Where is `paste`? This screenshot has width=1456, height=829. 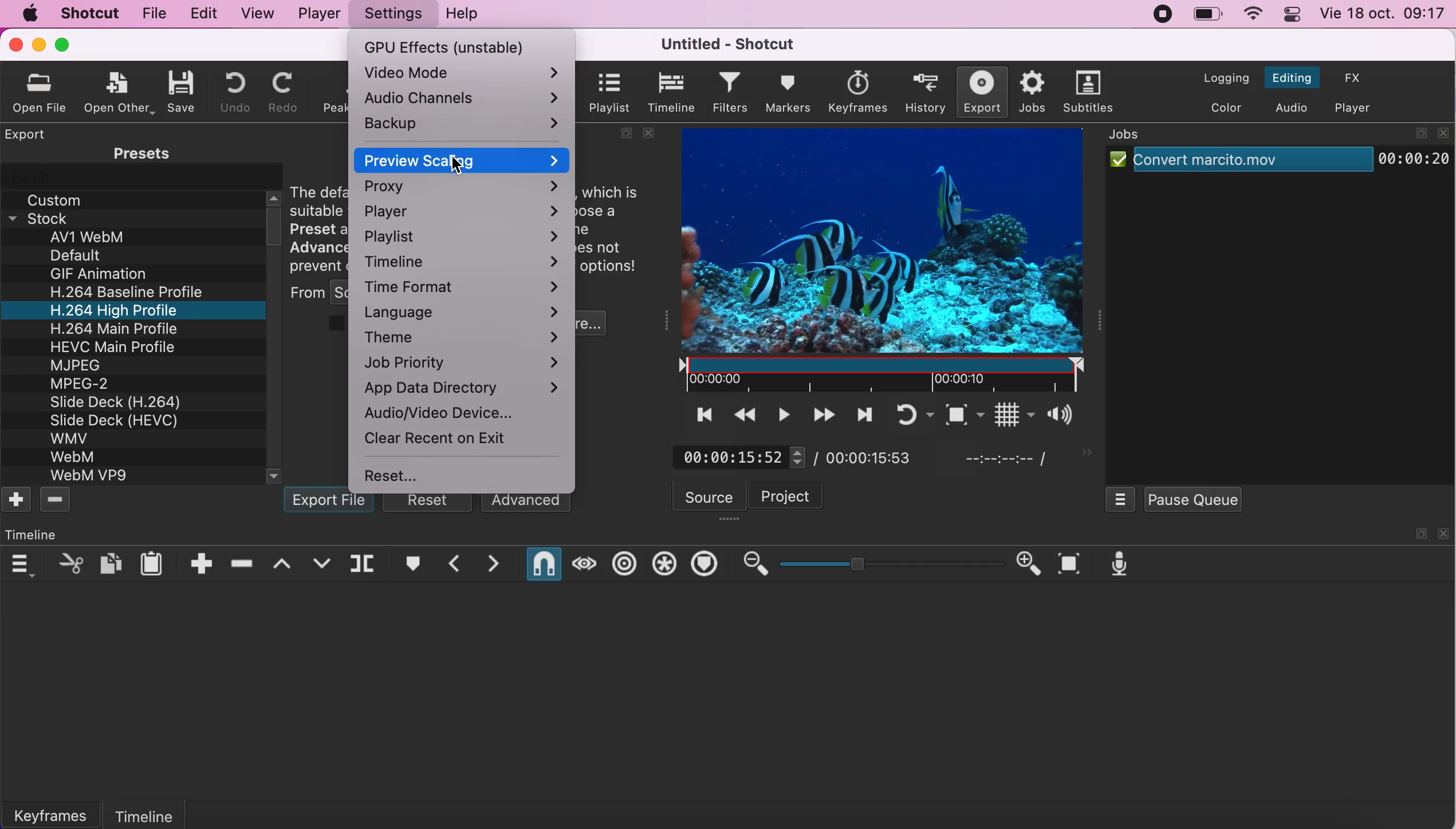
paste is located at coordinates (154, 562).